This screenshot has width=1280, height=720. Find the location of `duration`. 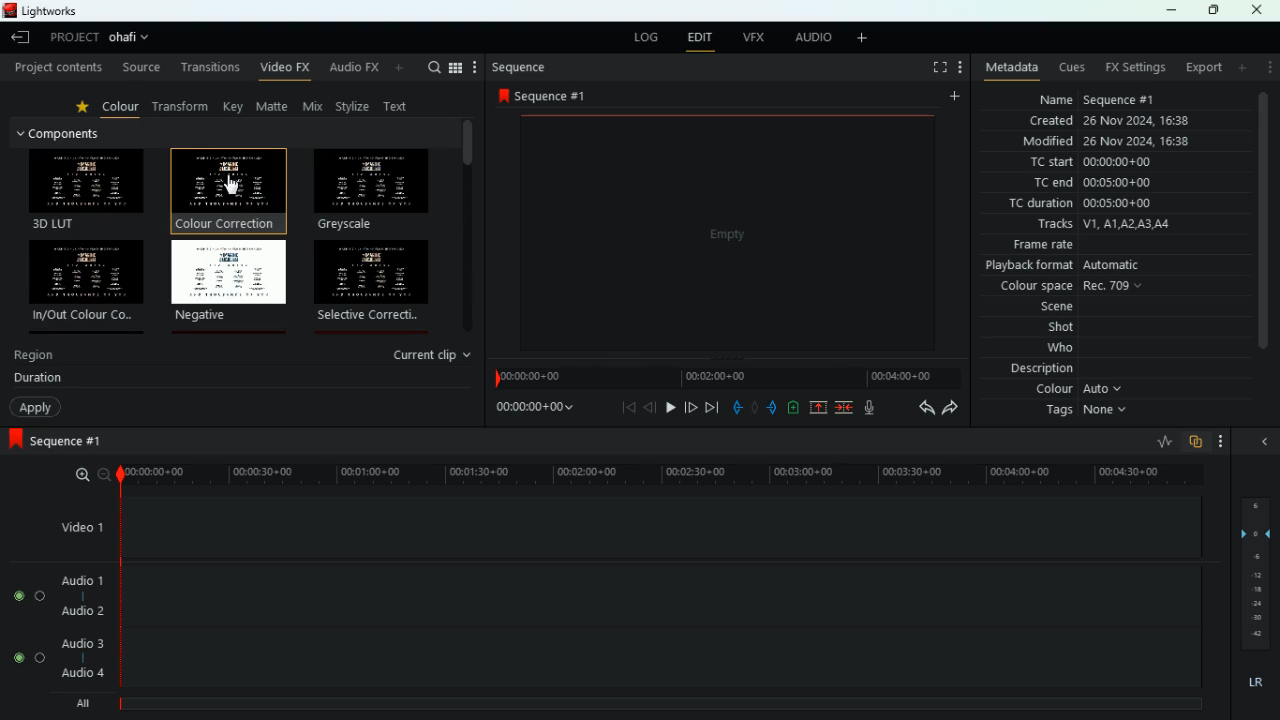

duration is located at coordinates (38, 380).